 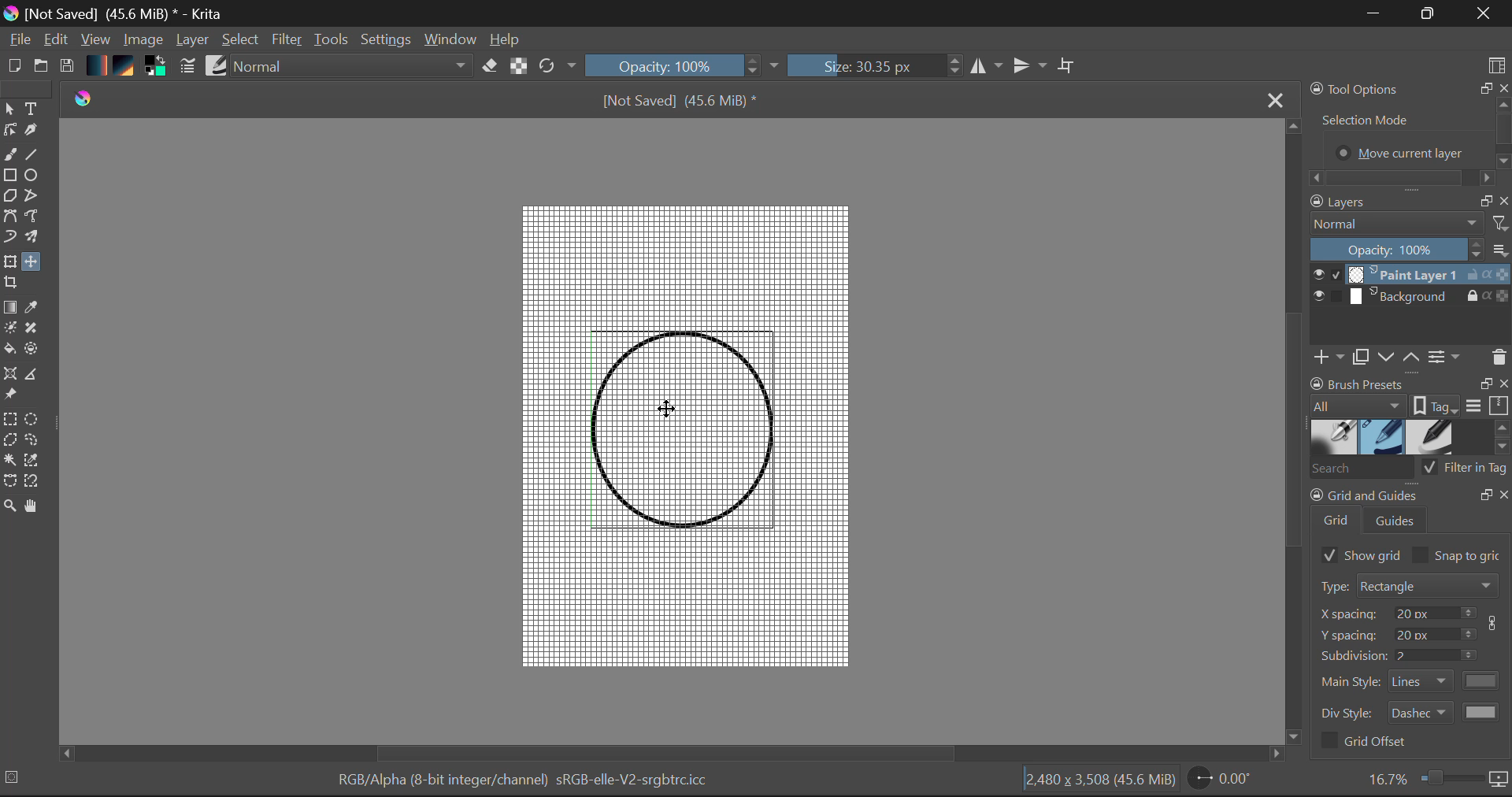 What do you see at coordinates (11, 419) in the screenshot?
I see `Rectangular Selection` at bounding box center [11, 419].